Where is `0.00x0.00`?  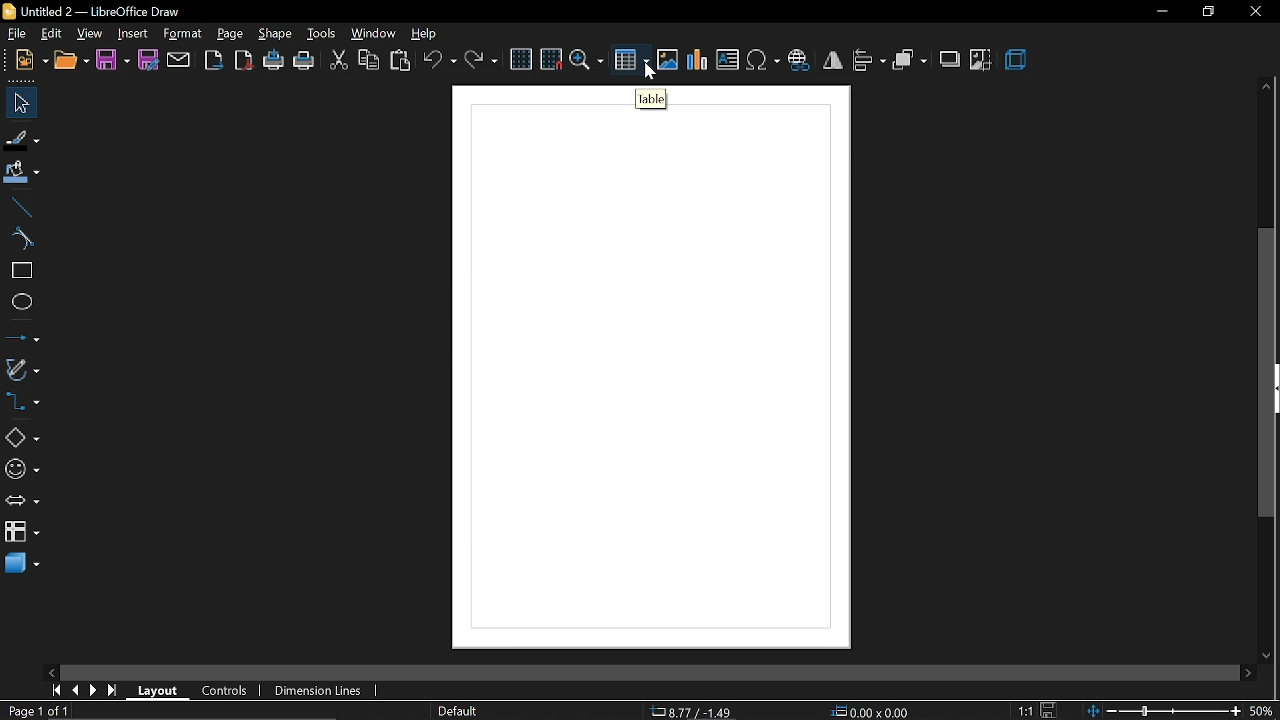
0.00x0.00 is located at coordinates (872, 712).